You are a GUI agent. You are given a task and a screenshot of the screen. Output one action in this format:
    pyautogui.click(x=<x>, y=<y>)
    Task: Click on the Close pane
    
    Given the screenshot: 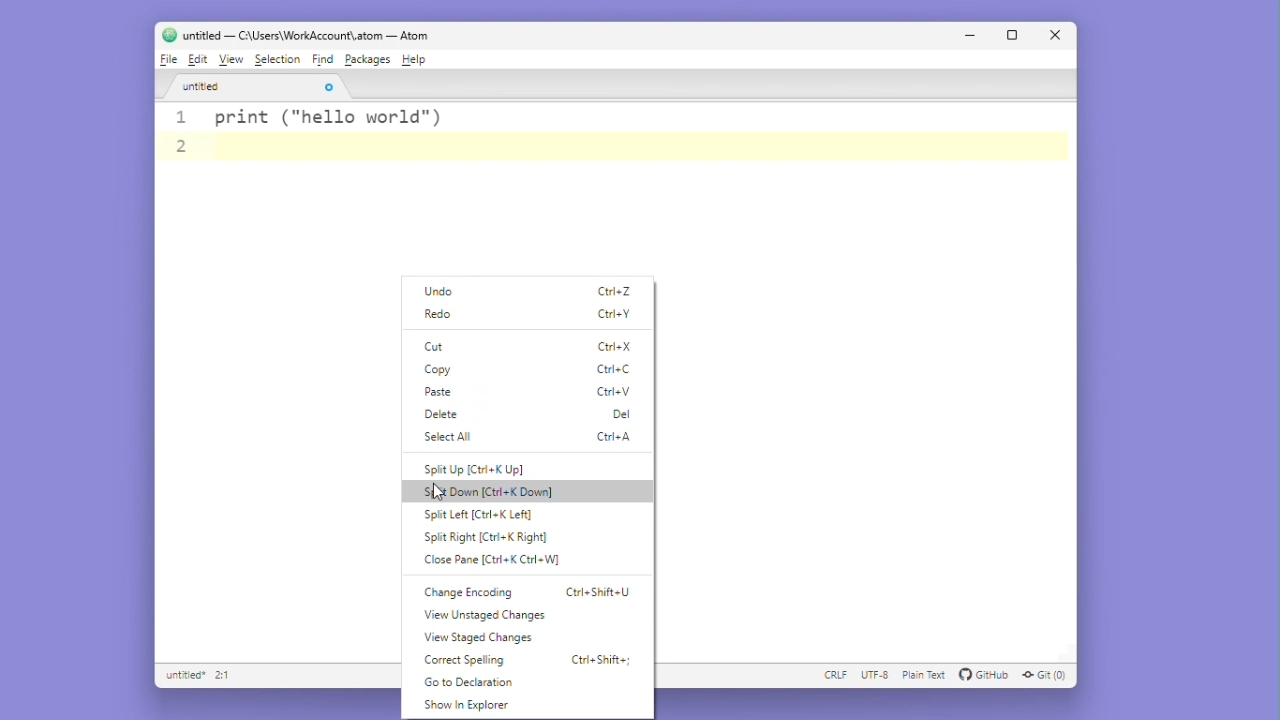 What is the action you would take?
    pyautogui.click(x=491, y=561)
    